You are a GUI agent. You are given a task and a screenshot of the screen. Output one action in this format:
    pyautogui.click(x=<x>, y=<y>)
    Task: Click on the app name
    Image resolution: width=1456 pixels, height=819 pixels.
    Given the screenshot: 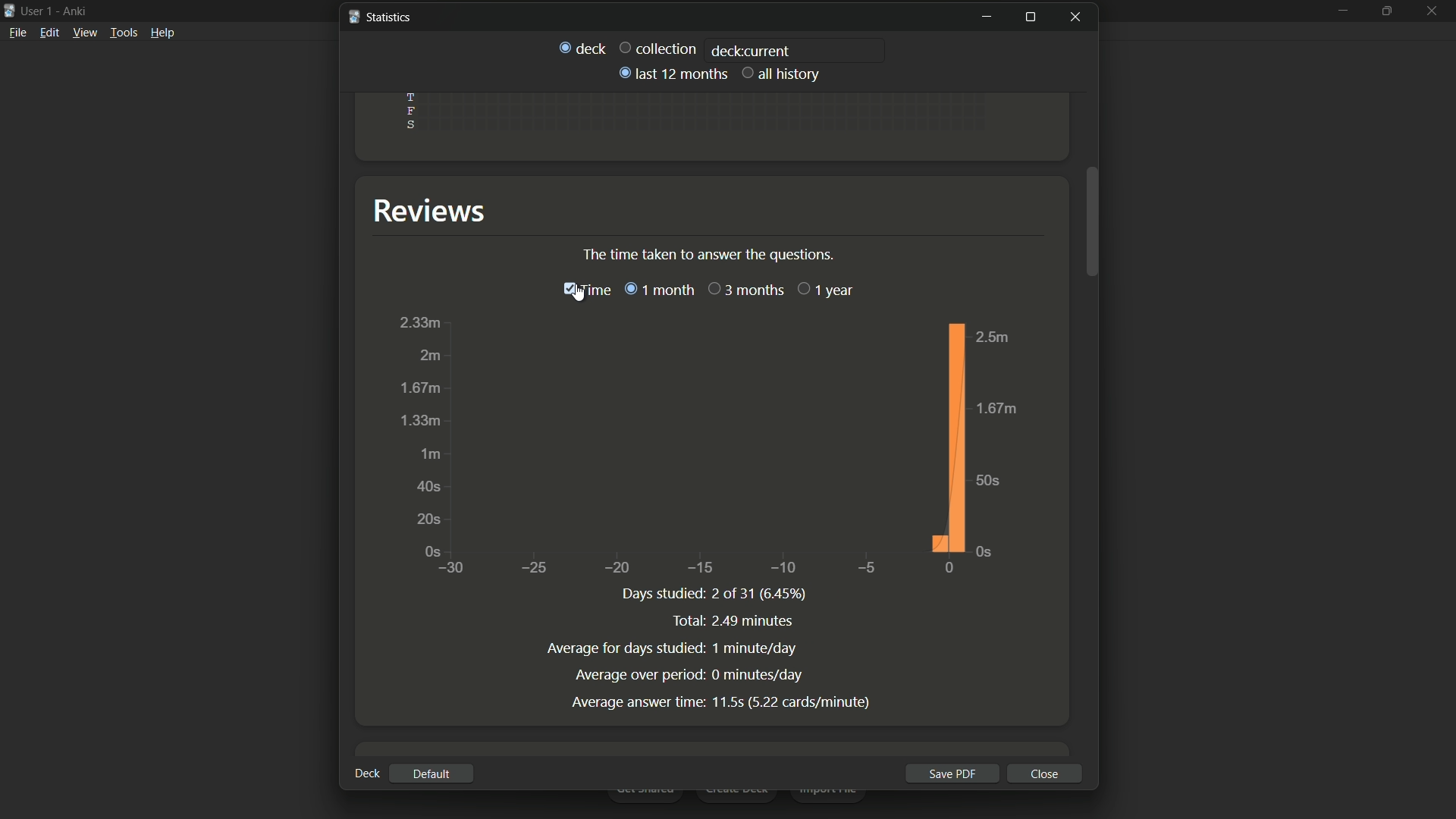 What is the action you would take?
    pyautogui.click(x=74, y=11)
    